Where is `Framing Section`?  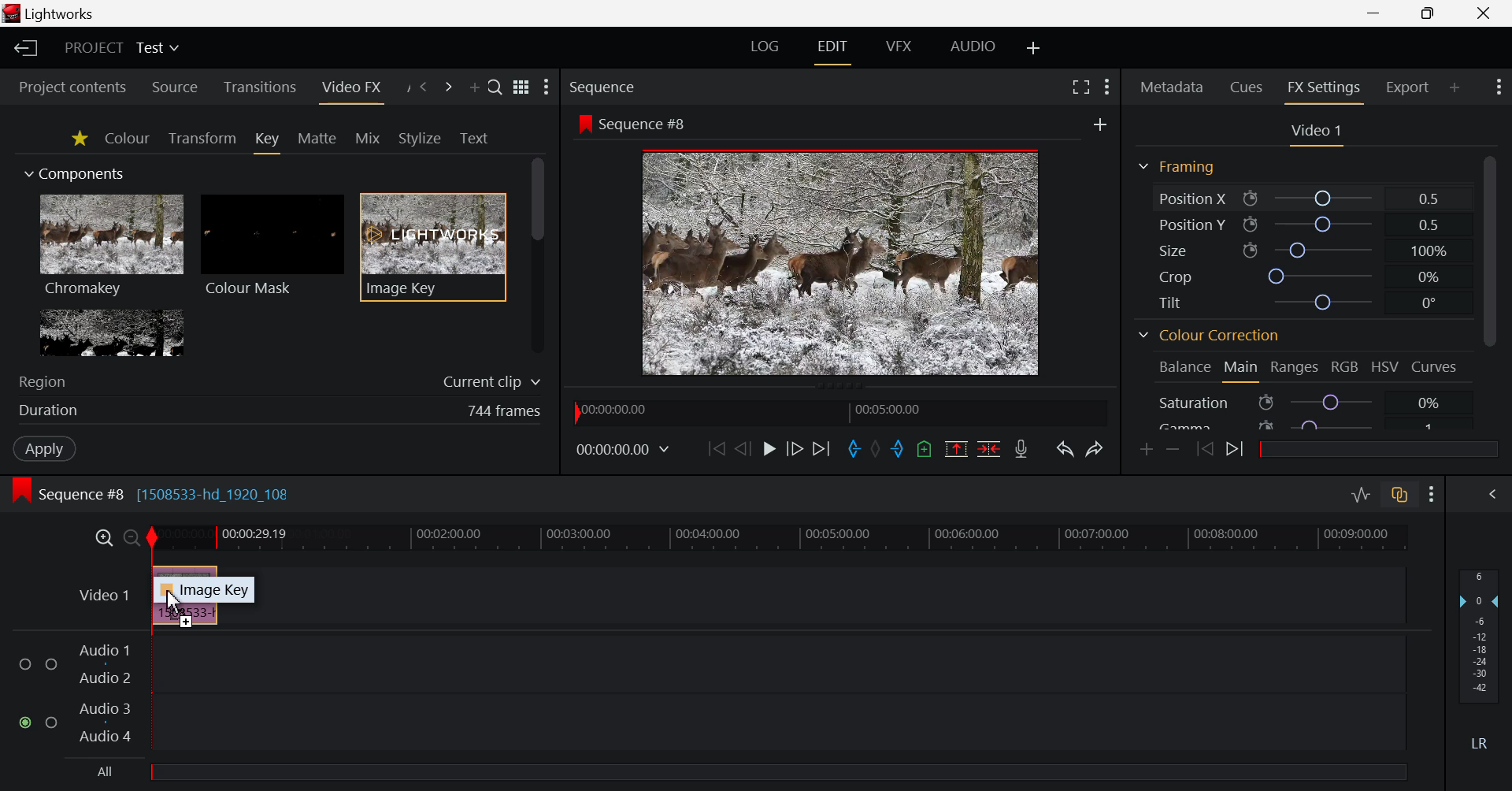 Framing Section is located at coordinates (1180, 171).